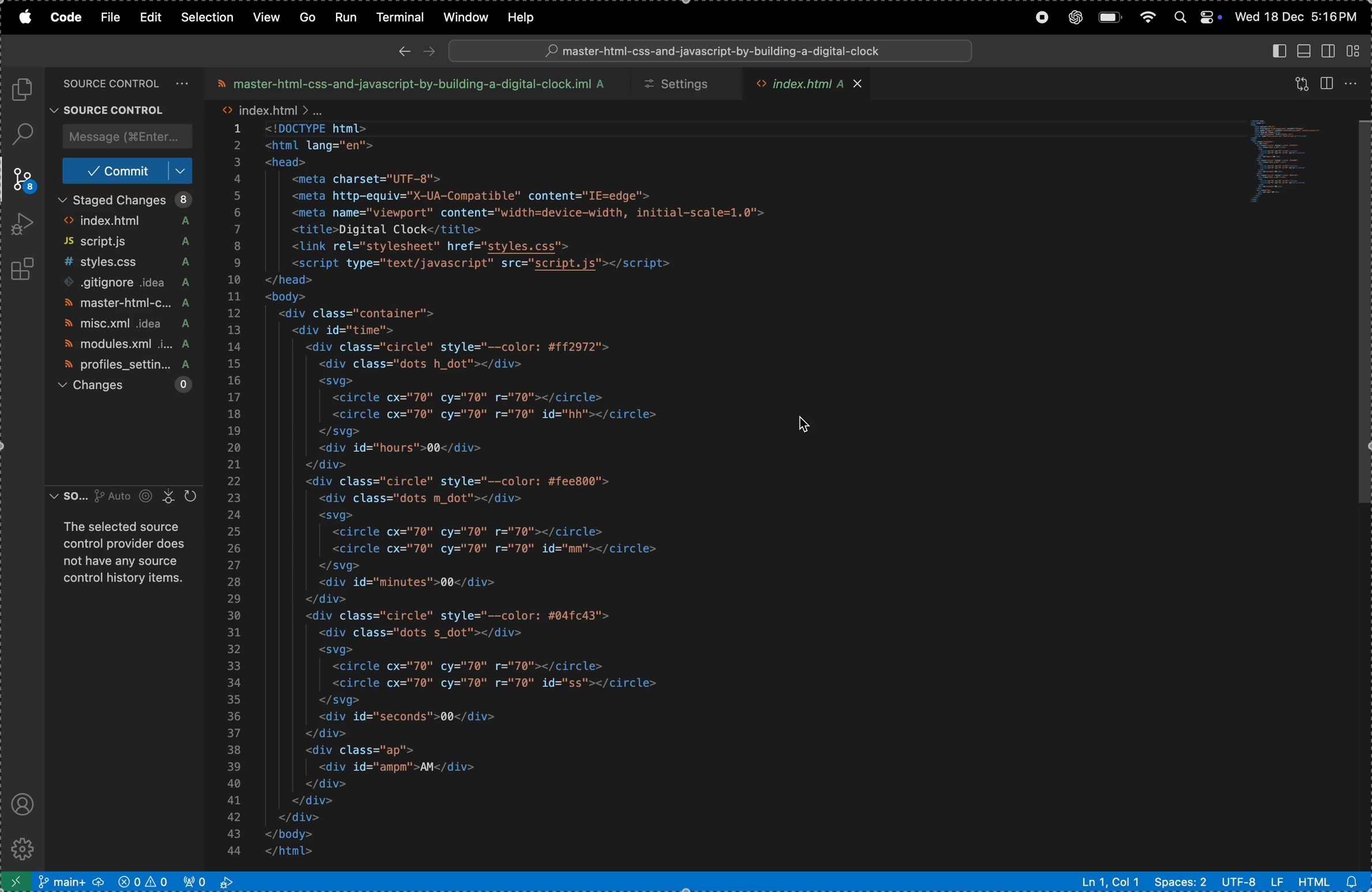  What do you see at coordinates (506, 549) in the screenshot?
I see `<circle cx="70" cy="70" r="70" id="mm"></circle>` at bounding box center [506, 549].